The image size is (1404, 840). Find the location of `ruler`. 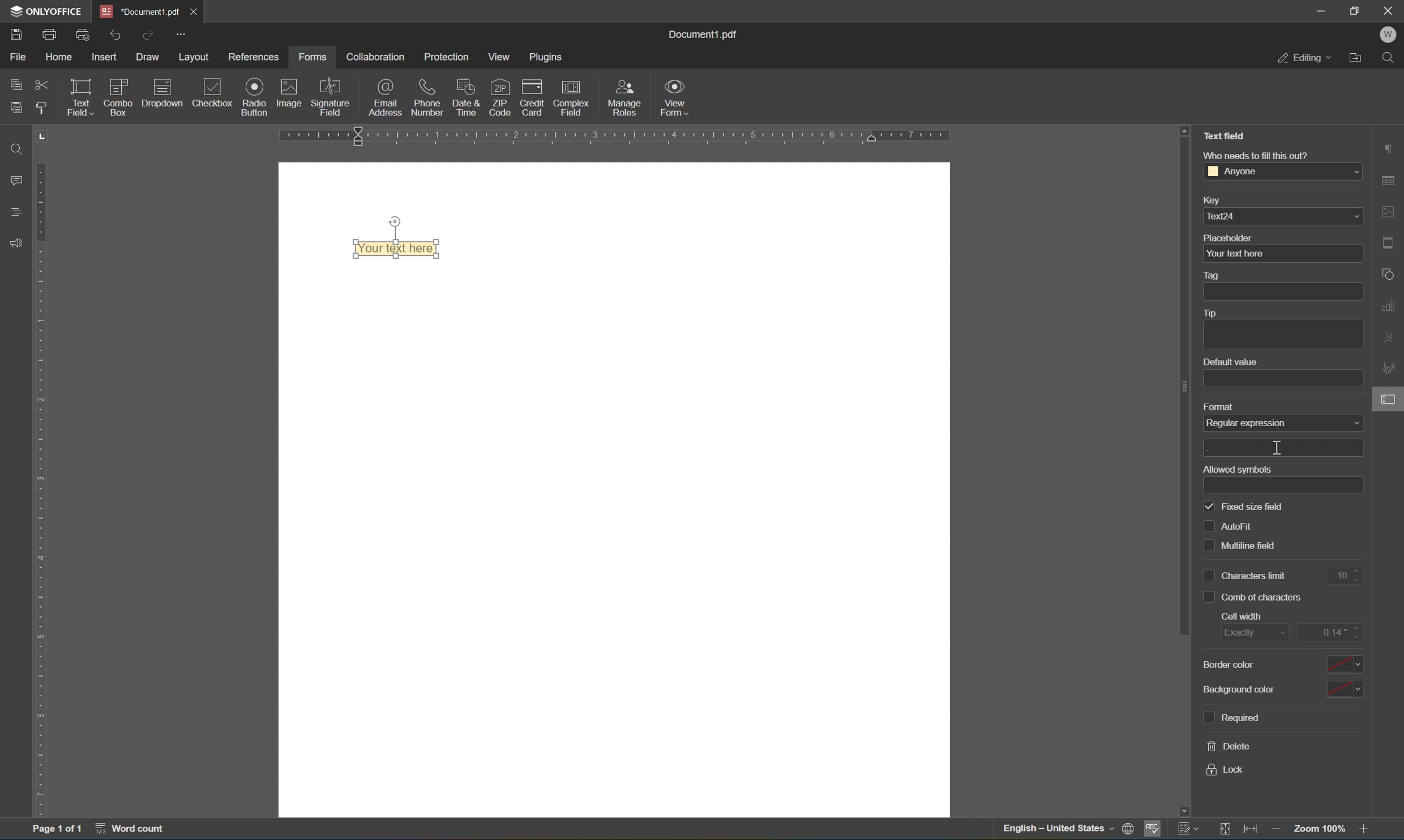

ruler is located at coordinates (657, 136).